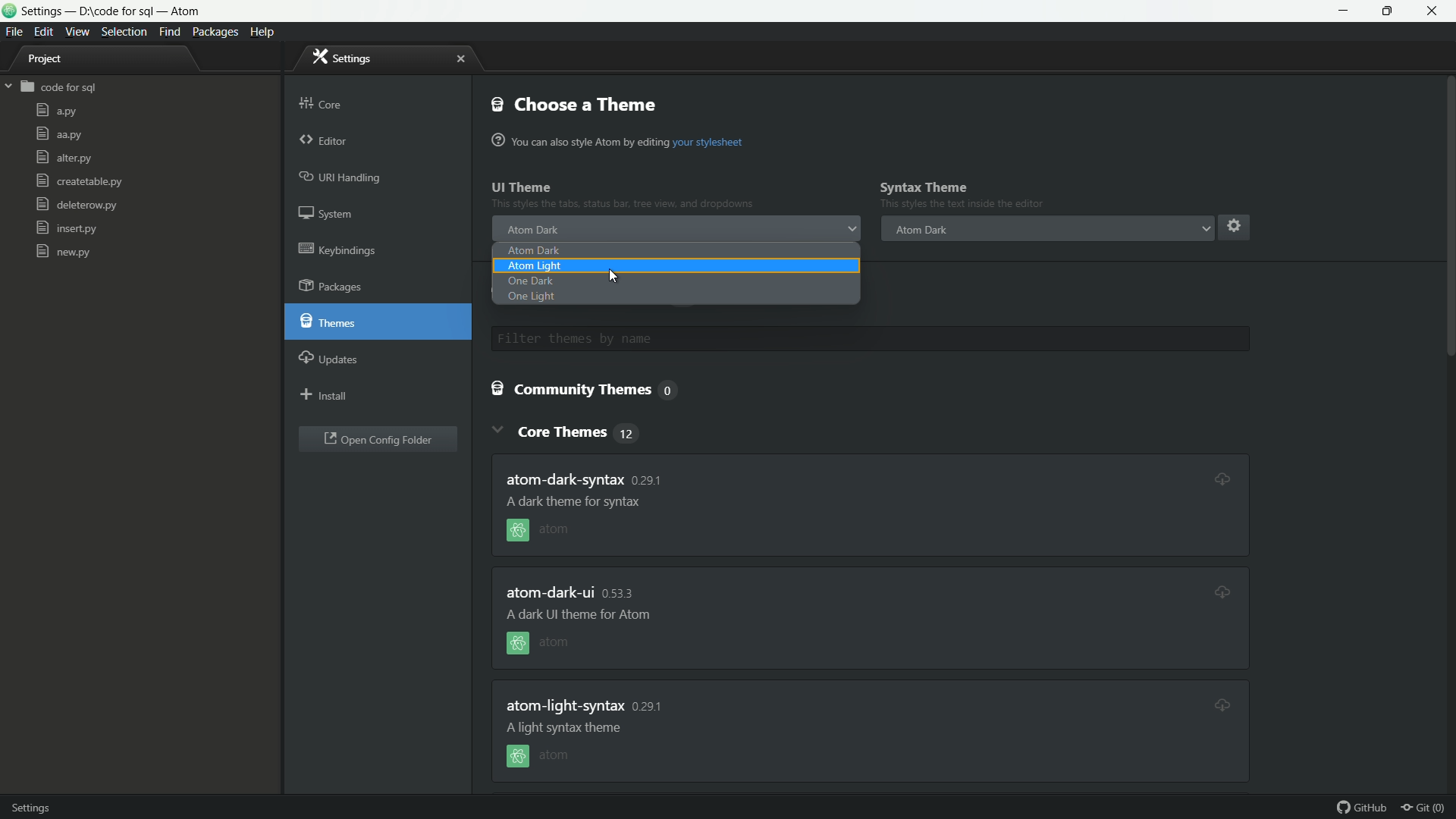  I want to click on one dark, so click(529, 282).